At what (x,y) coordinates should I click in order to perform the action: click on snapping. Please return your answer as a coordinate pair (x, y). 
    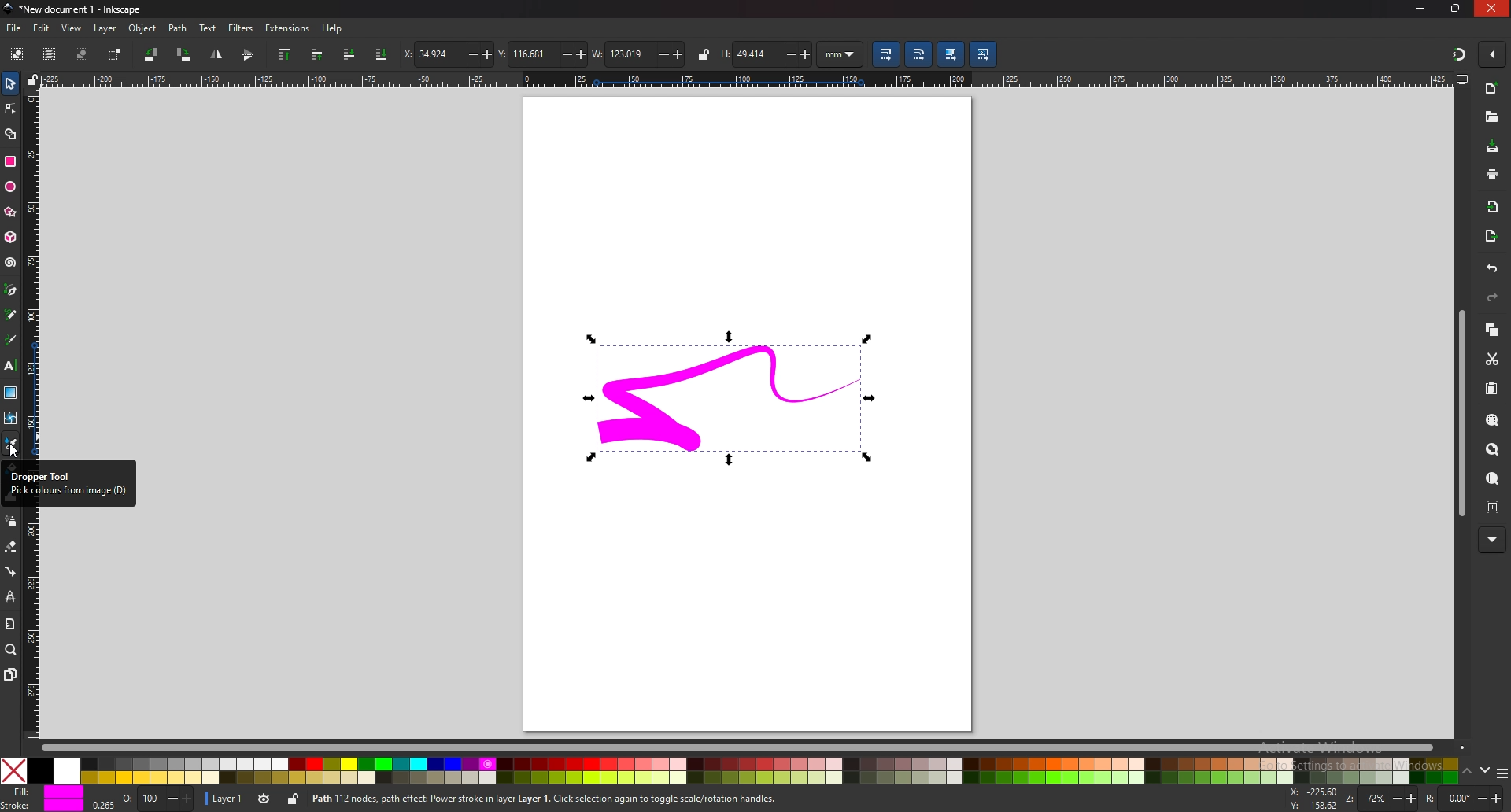
    Looking at the image, I should click on (1461, 54).